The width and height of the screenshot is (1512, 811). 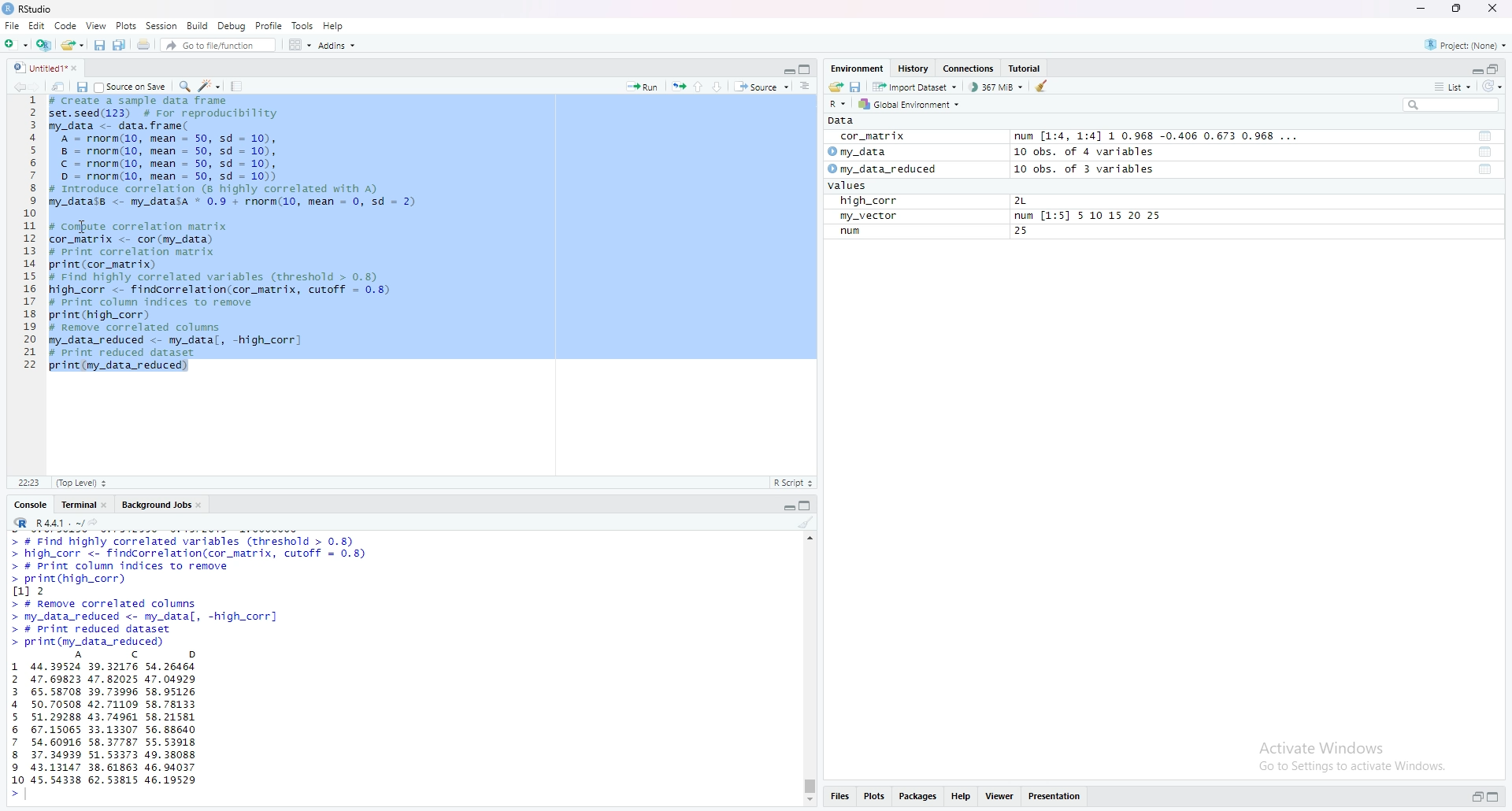 What do you see at coordinates (1487, 135) in the screenshot?
I see `tool` at bounding box center [1487, 135].